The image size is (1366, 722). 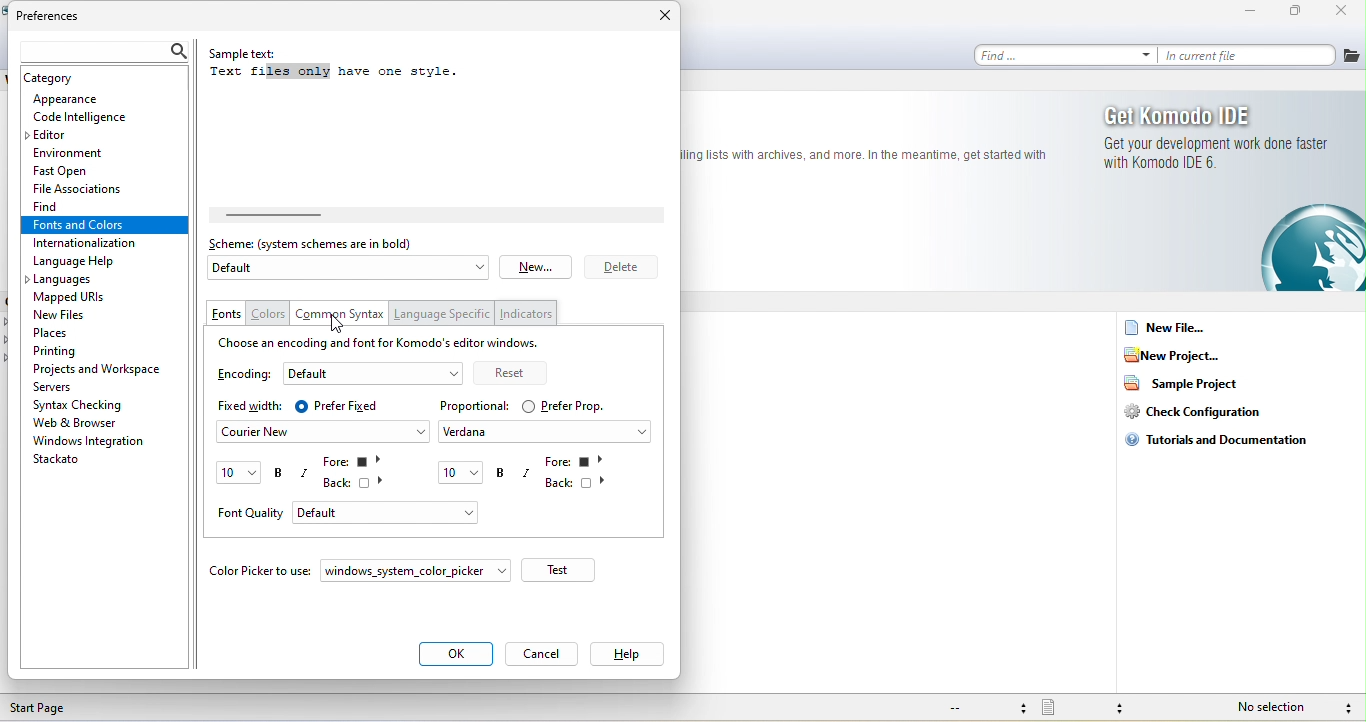 I want to click on default, so click(x=392, y=514).